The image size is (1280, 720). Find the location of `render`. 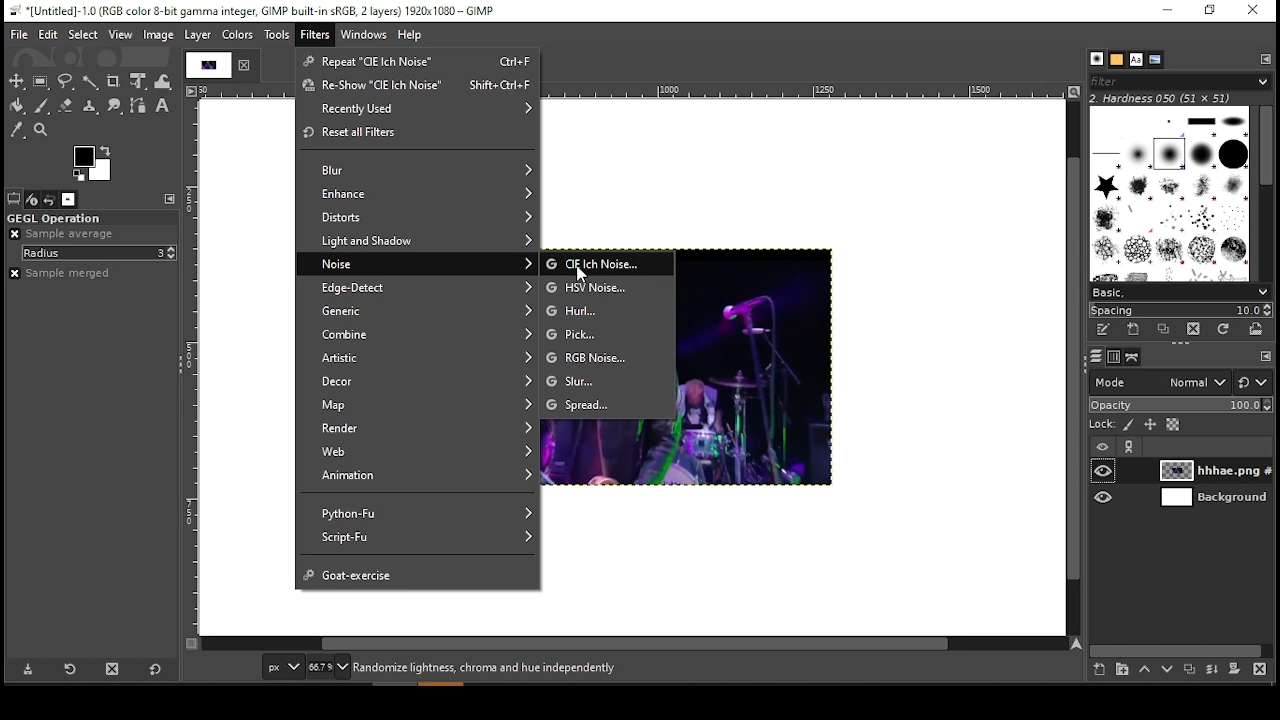

render is located at coordinates (419, 429).